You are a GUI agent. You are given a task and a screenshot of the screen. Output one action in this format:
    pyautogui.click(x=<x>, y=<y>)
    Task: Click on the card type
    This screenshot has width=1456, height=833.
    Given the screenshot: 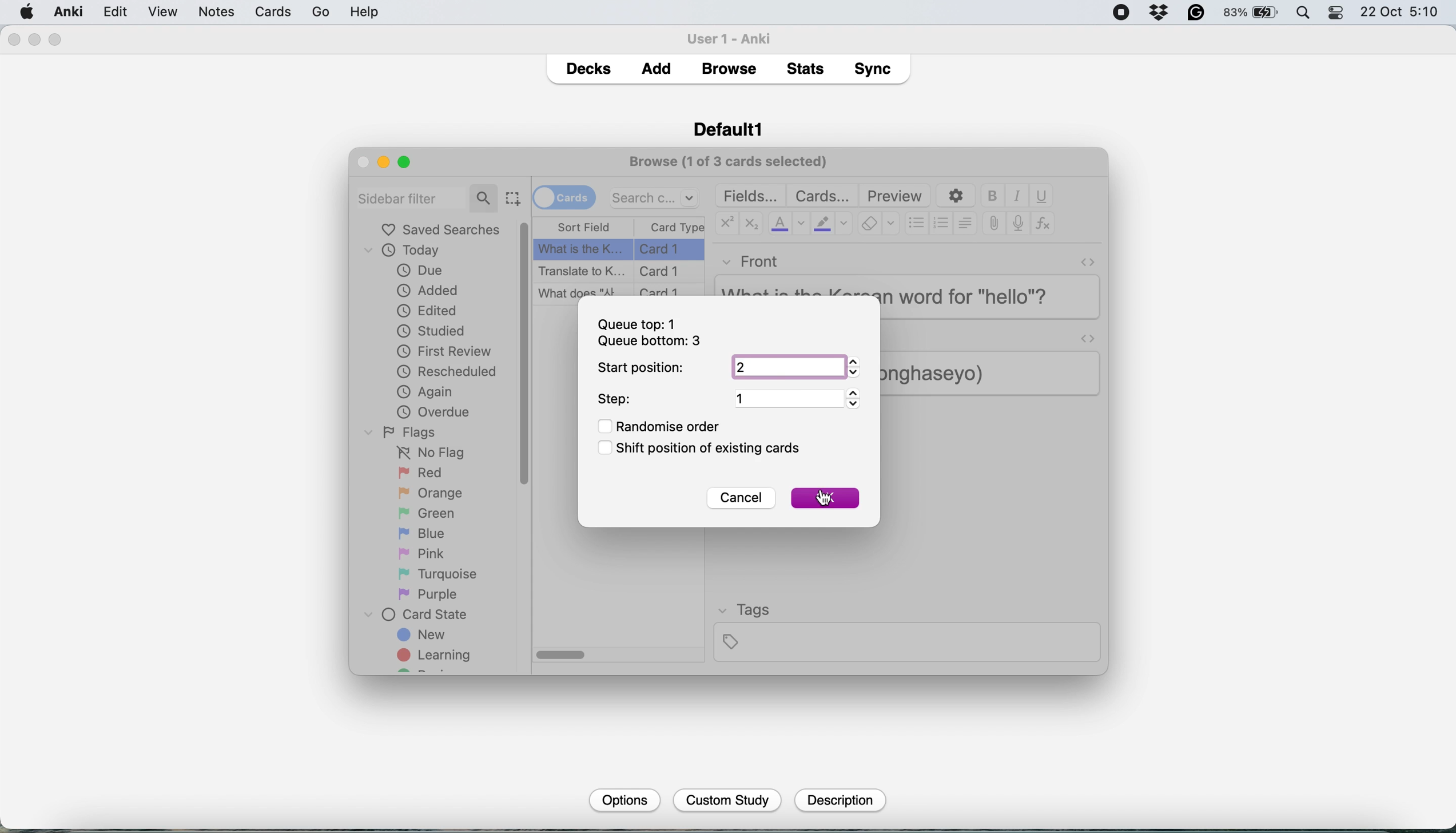 What is the action you would take?
    pyautogui.click(x=675, y=228)
    